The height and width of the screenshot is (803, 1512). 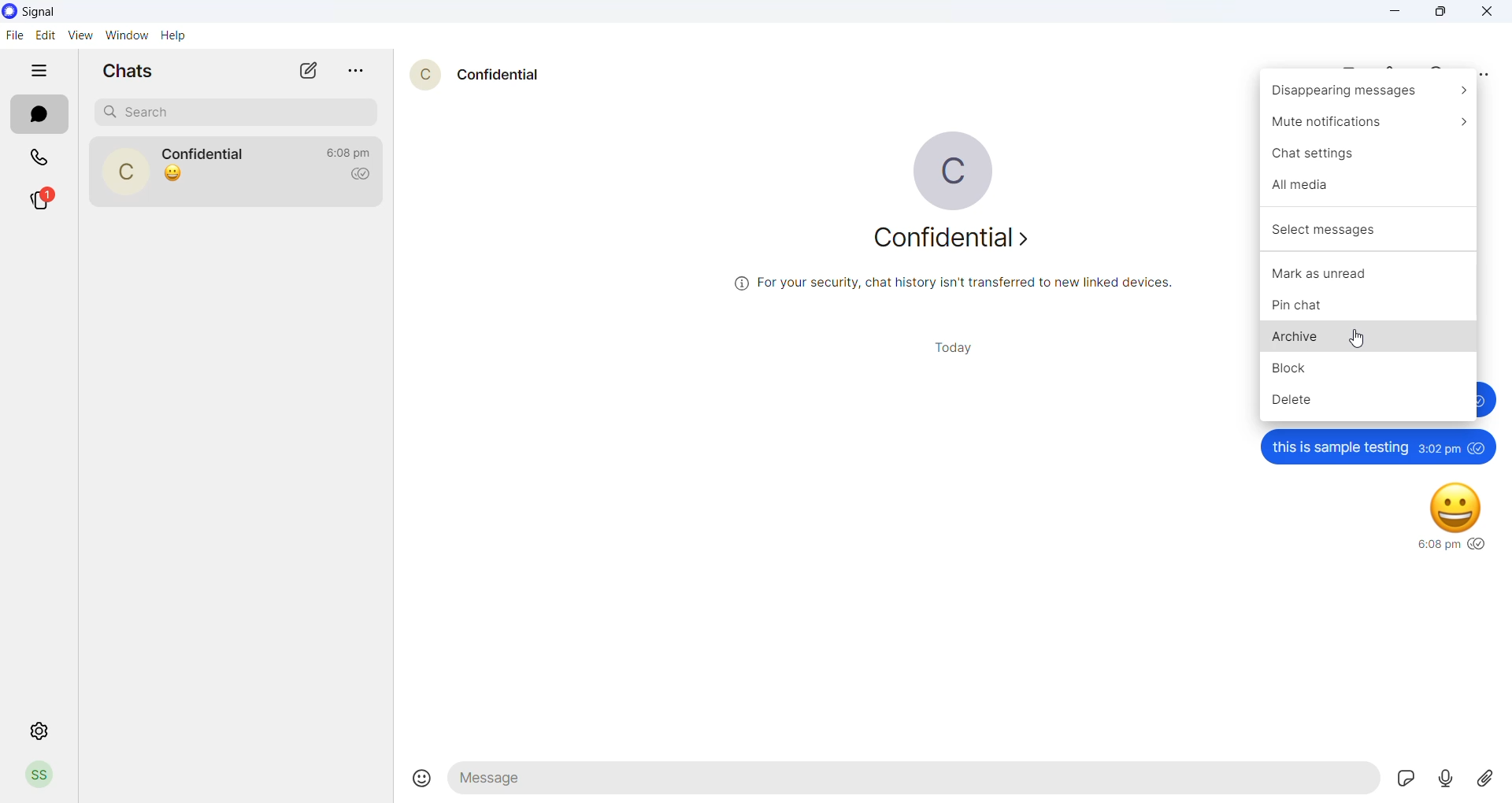 What do you see at coordinates (1487, 9) in the screenshot?
I see `close` at bounding box center [1487, 9].